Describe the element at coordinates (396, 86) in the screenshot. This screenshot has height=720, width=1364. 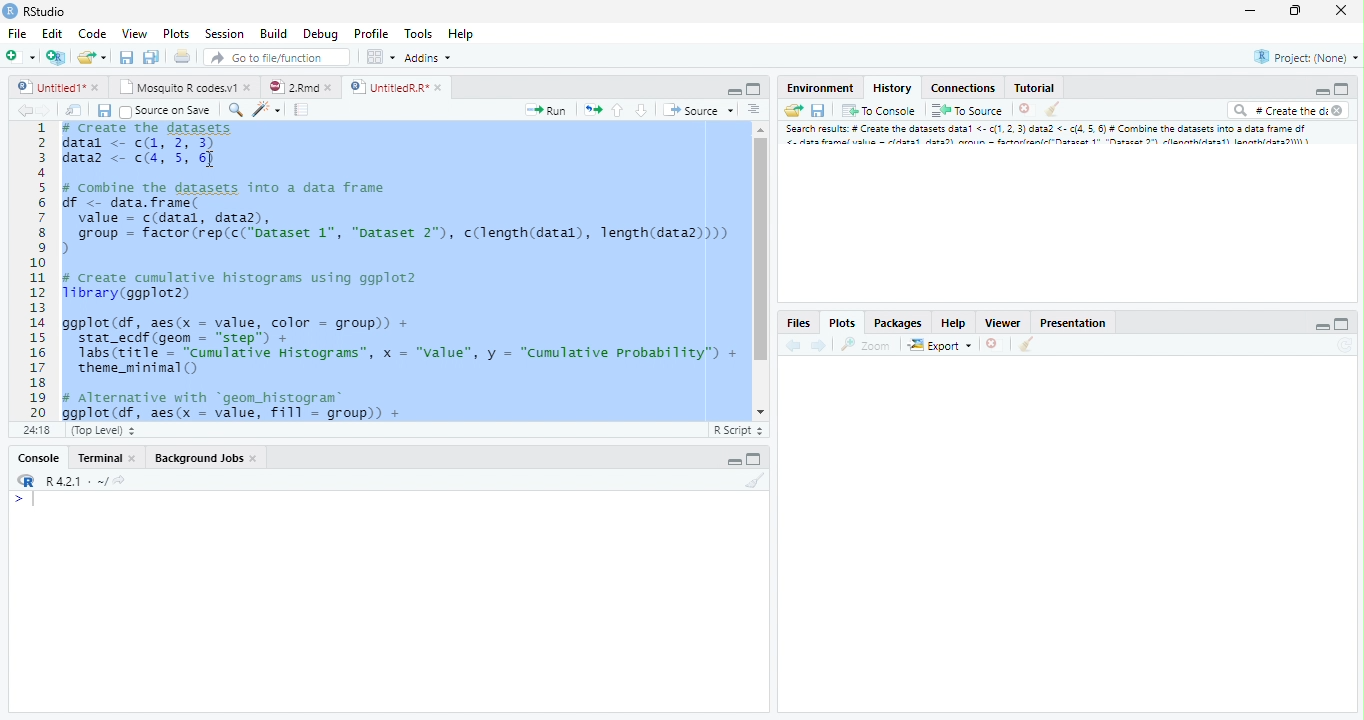
I see `UntitledR.R` at that location.